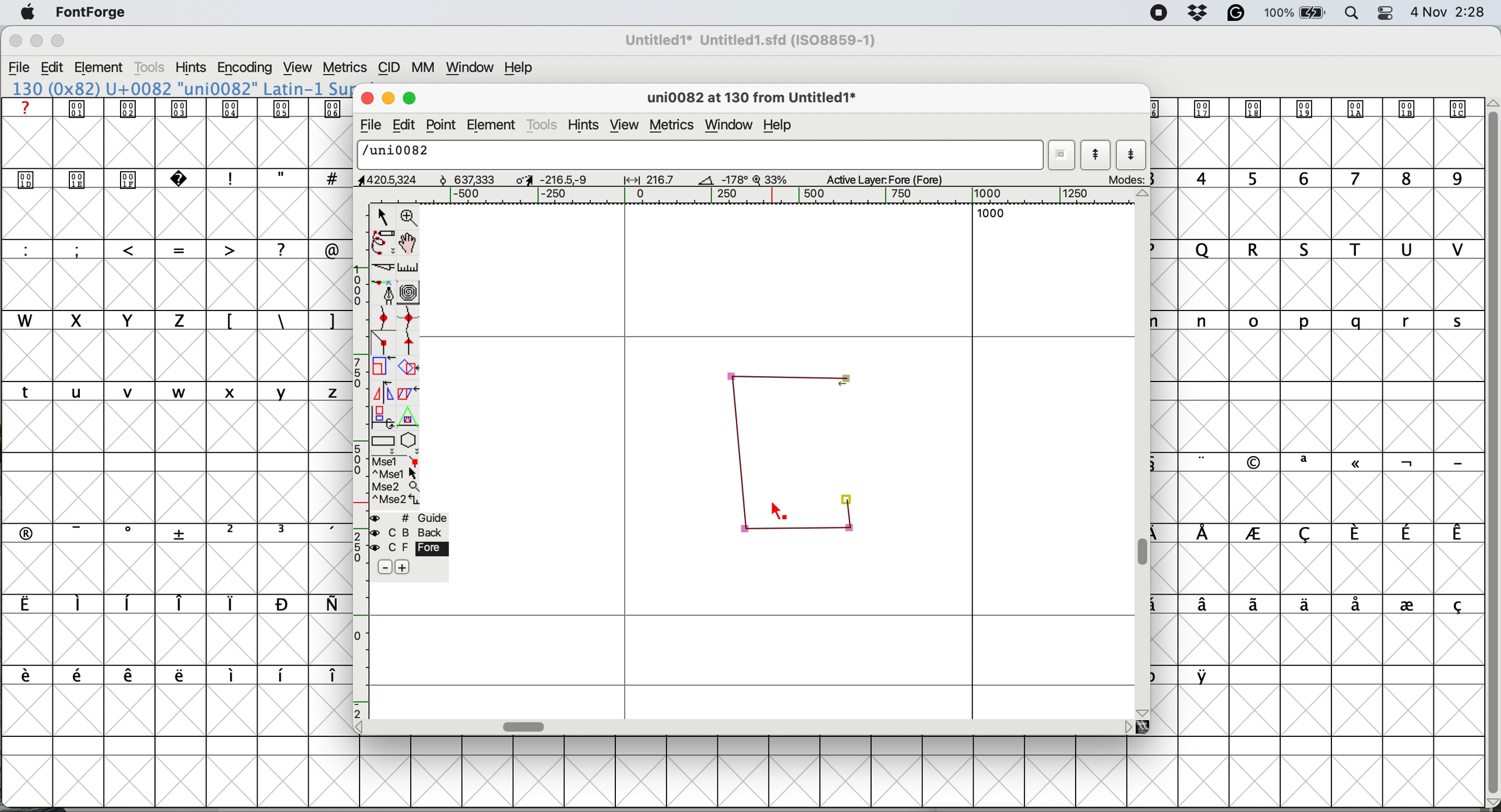 This screenshot has width=1501, height=812. What do you see at coordinates (382, 416) in the screenshot?
I see `rotate the selection in 3d and project back to plane` at bounding box center [382, 416].